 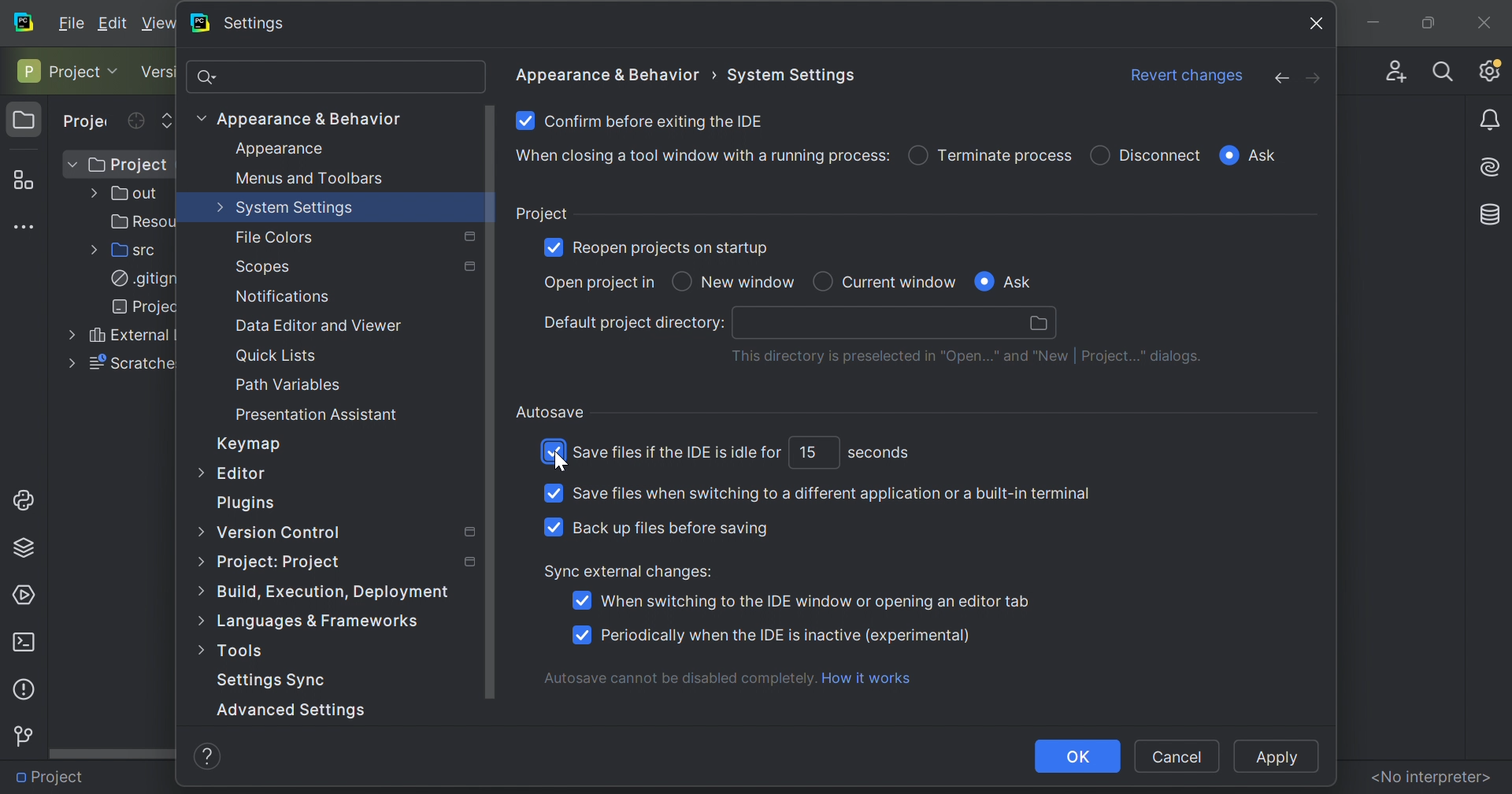 I want to click on More, so click(x=198, y=471).